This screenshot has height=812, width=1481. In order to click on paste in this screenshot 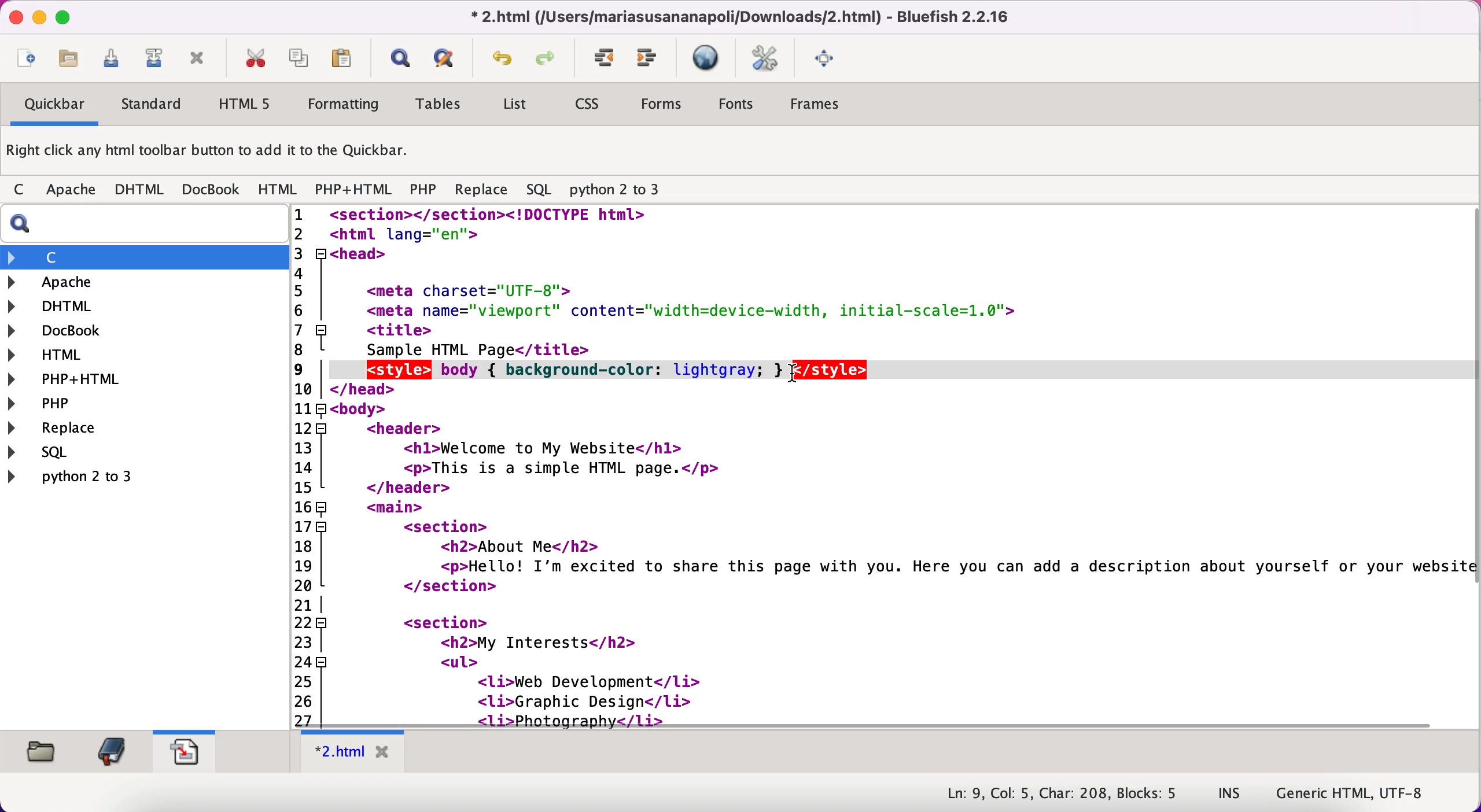, I will do `click(346, 58)`.